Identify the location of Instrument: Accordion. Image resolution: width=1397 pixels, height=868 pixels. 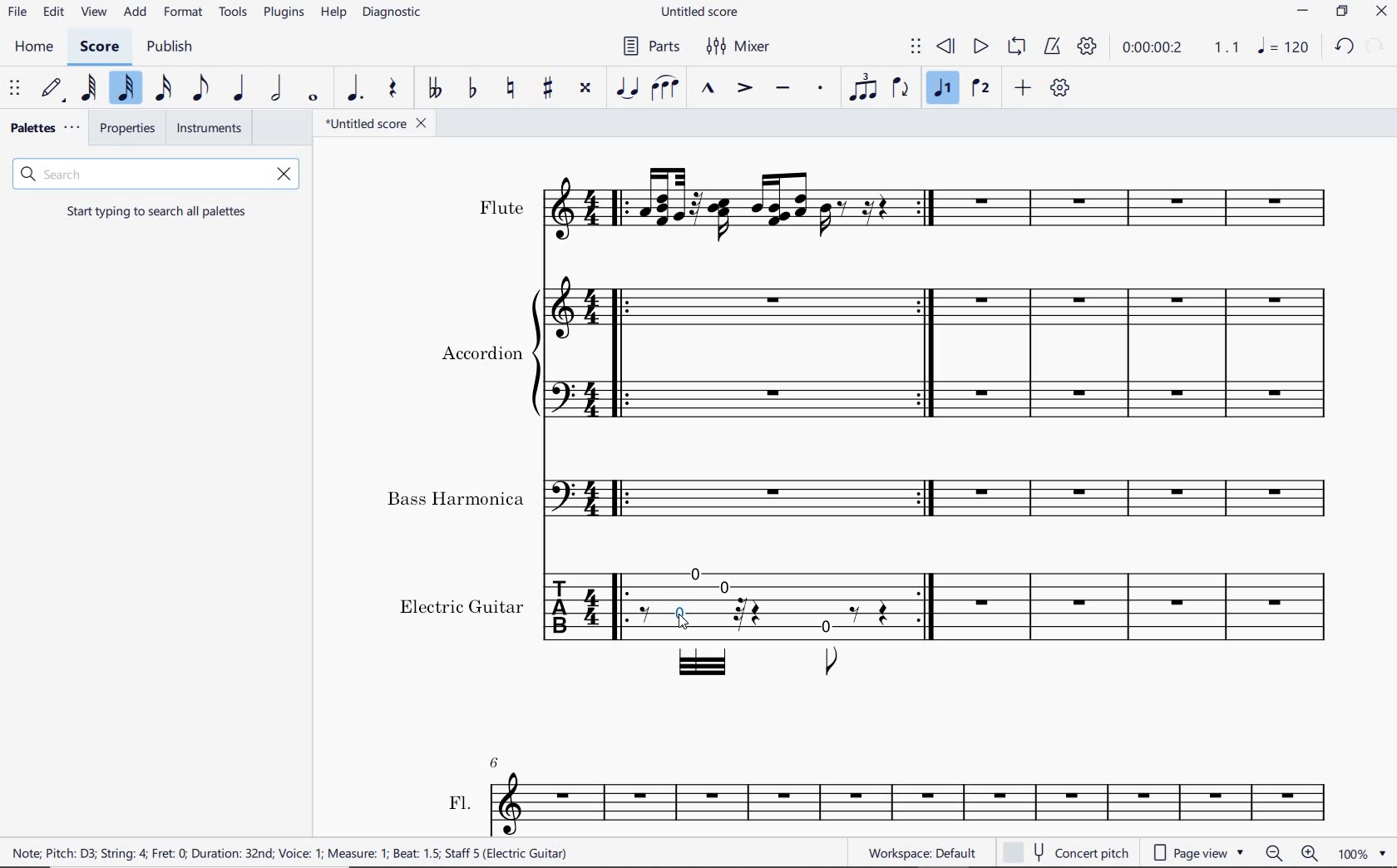
(884, 356).